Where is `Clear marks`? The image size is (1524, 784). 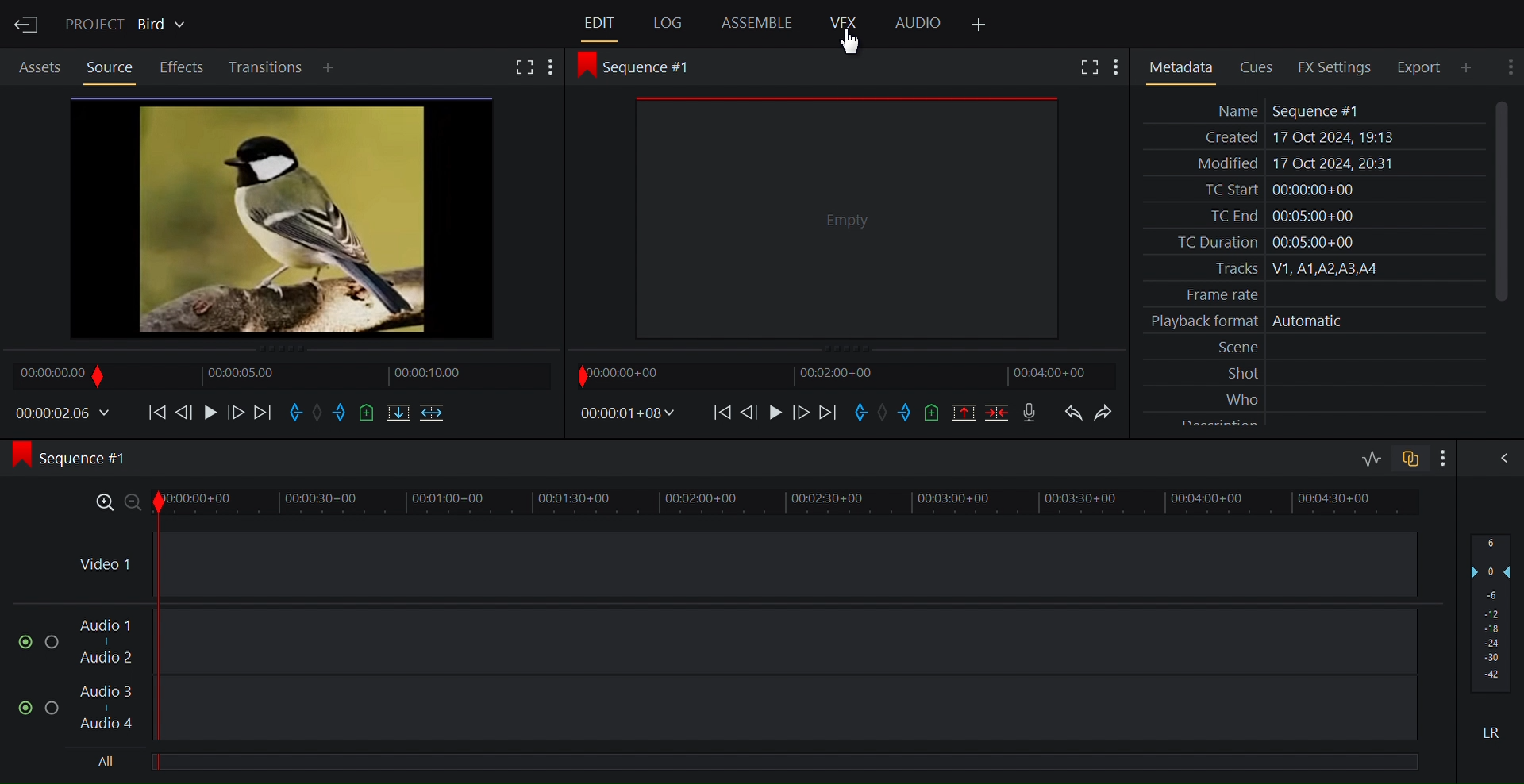 Clear marks is located at coordinates (316, 413).